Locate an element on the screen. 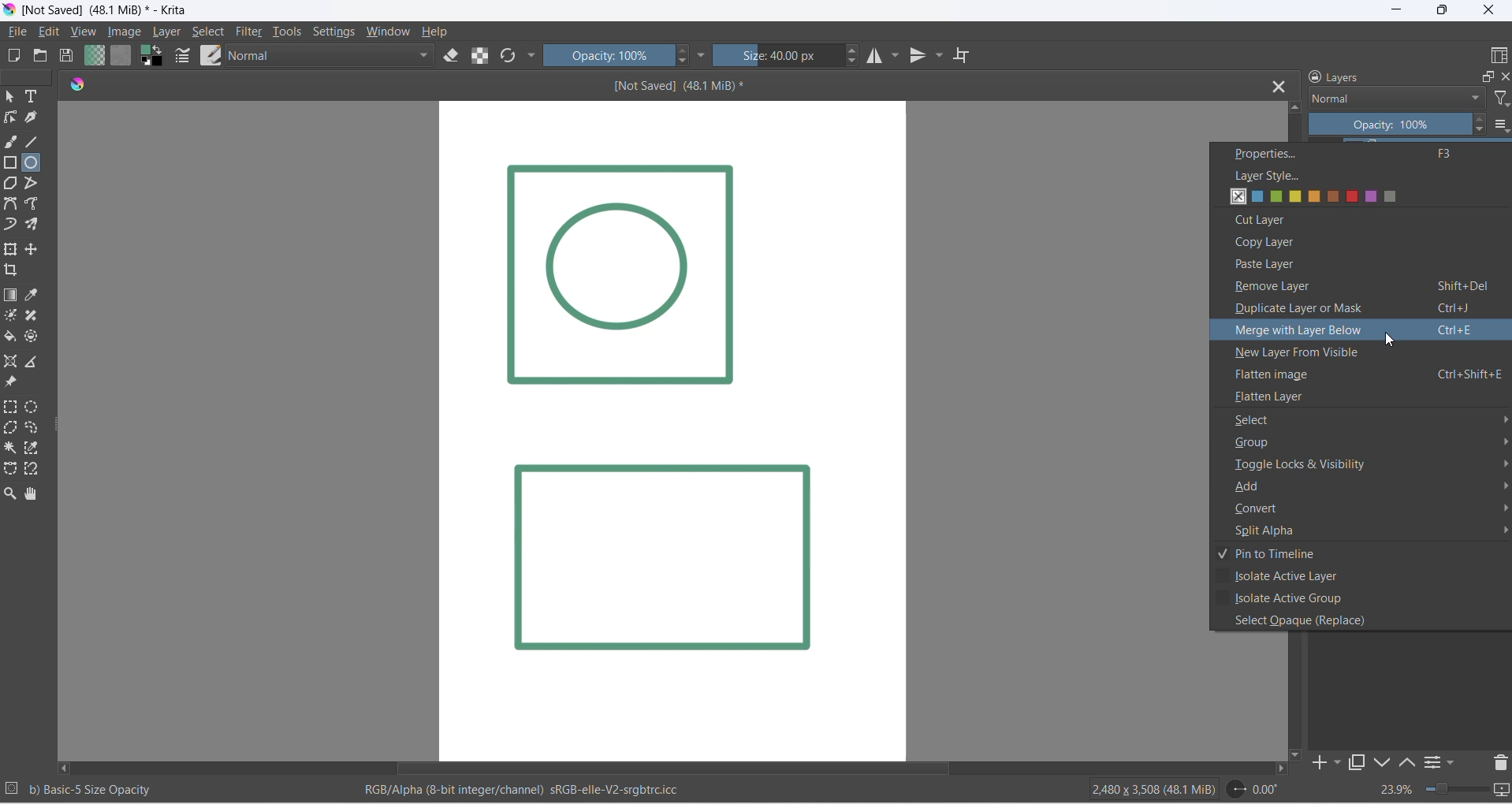  measure distance between two points is located at coordinates (35, 361).